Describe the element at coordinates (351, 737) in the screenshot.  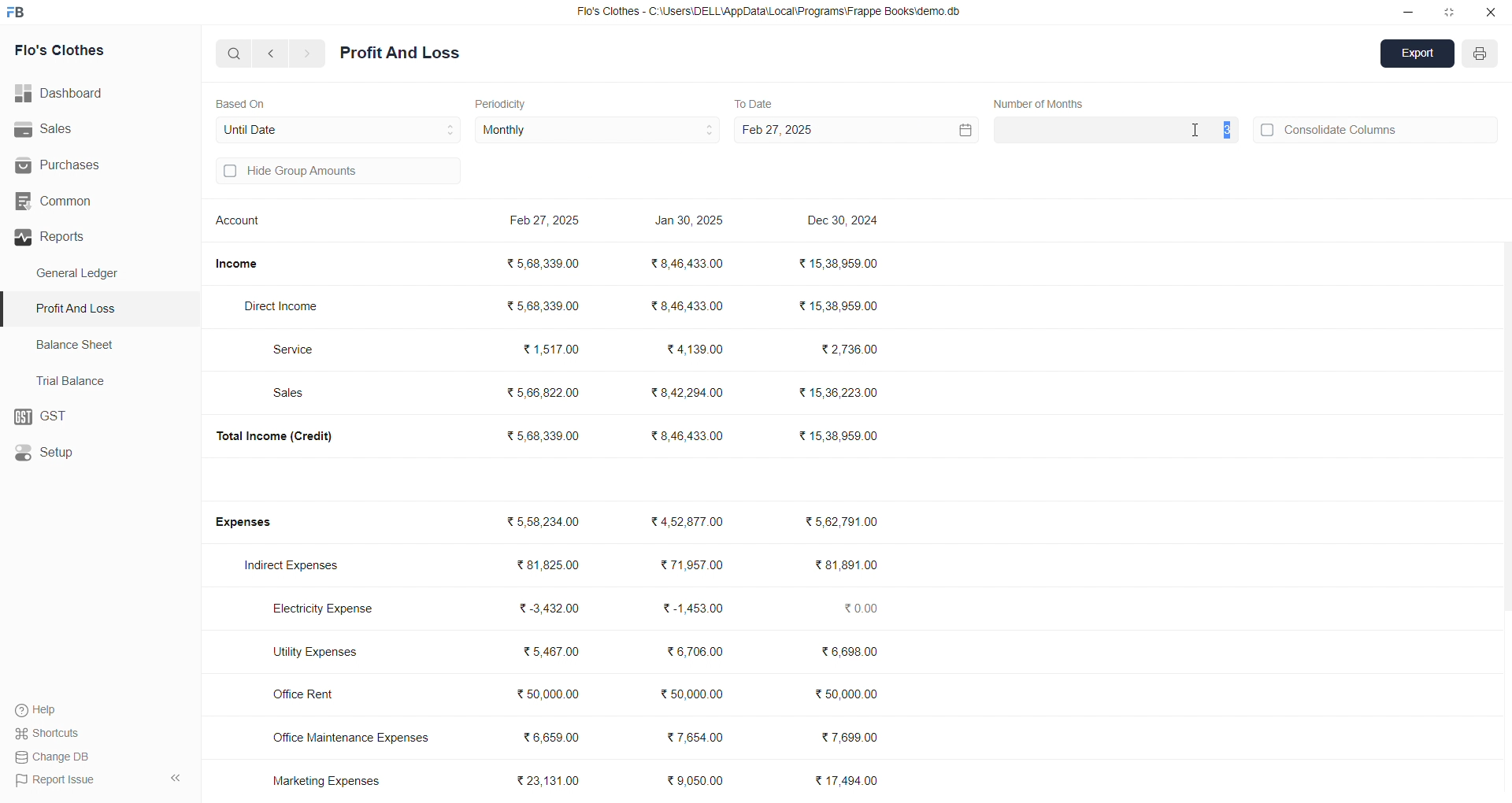
I see `Office Maintenance Expenses` at that location.